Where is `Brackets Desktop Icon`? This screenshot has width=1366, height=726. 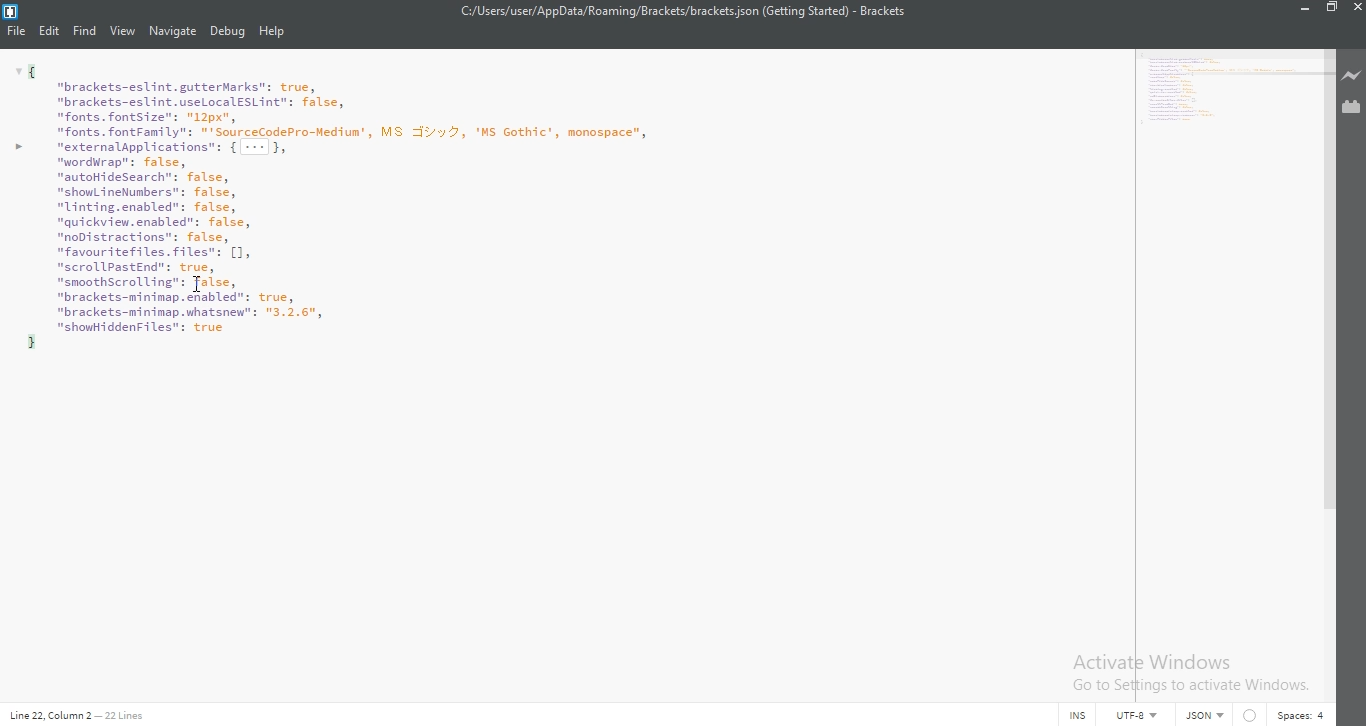
Brackets Desktop Icon is located at coordinates (10, 12).